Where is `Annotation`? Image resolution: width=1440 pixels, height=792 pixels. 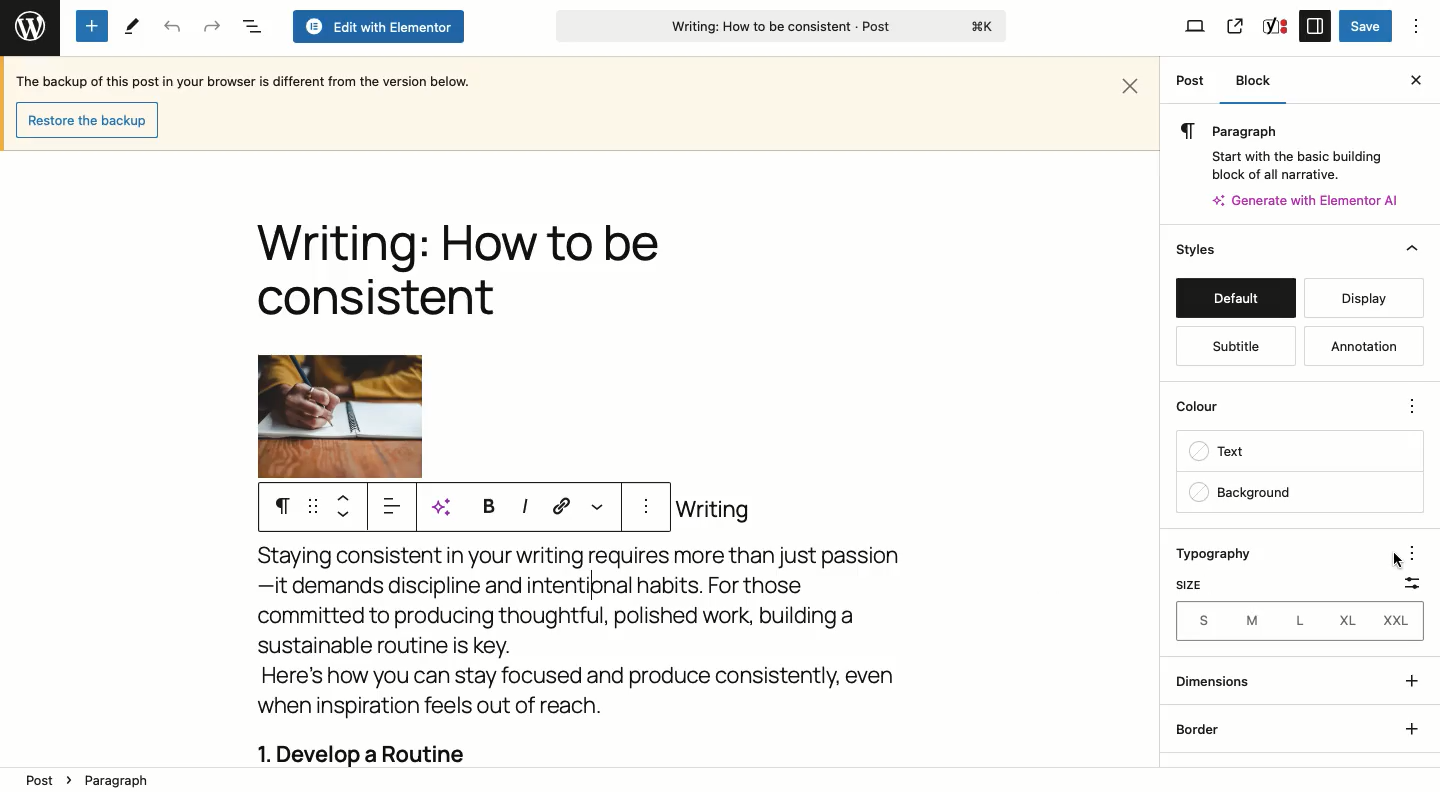
Annotation is located at coordinates (1359, 345).